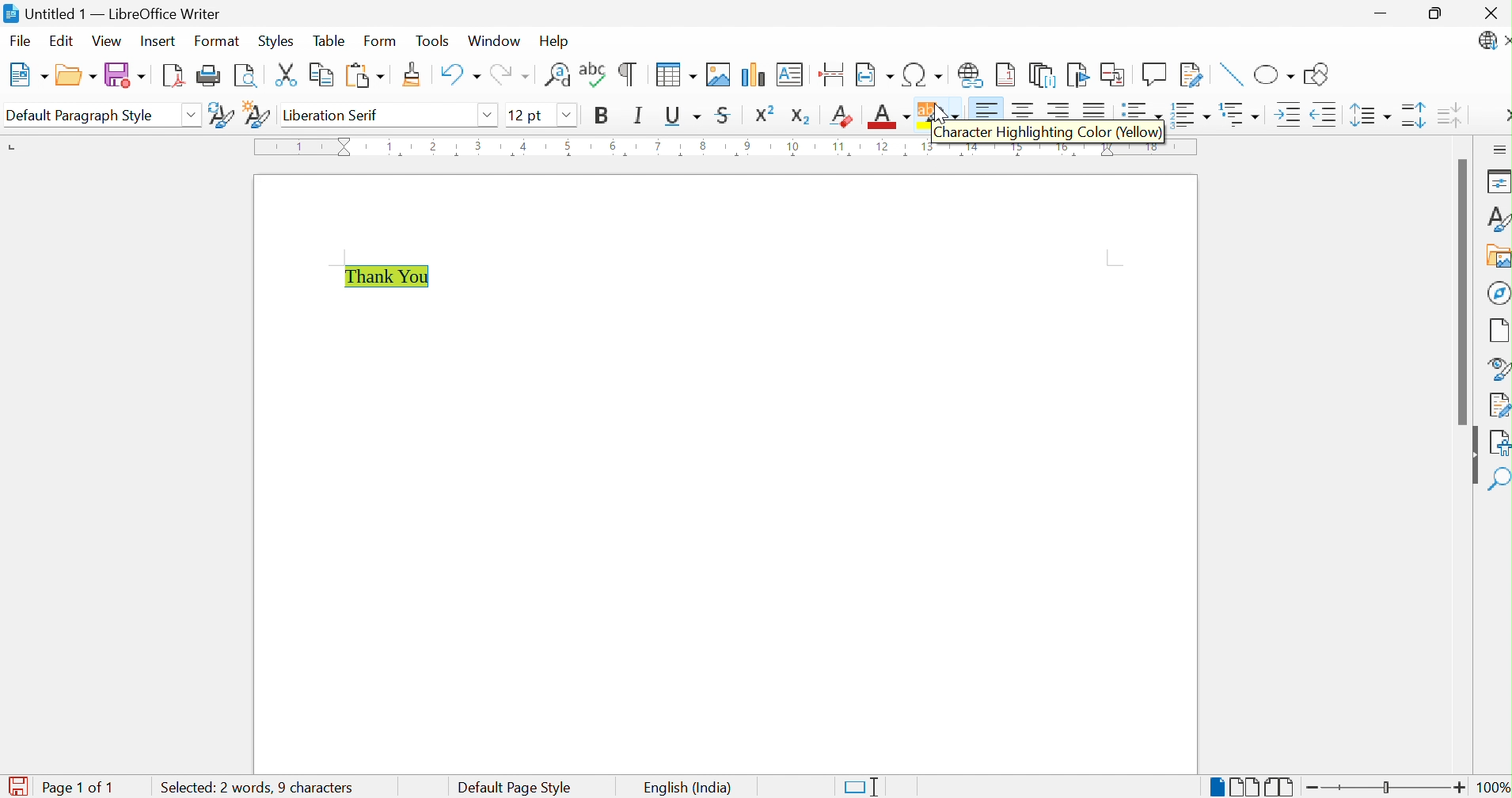  I want to click on 100%, so click(1493, 787).